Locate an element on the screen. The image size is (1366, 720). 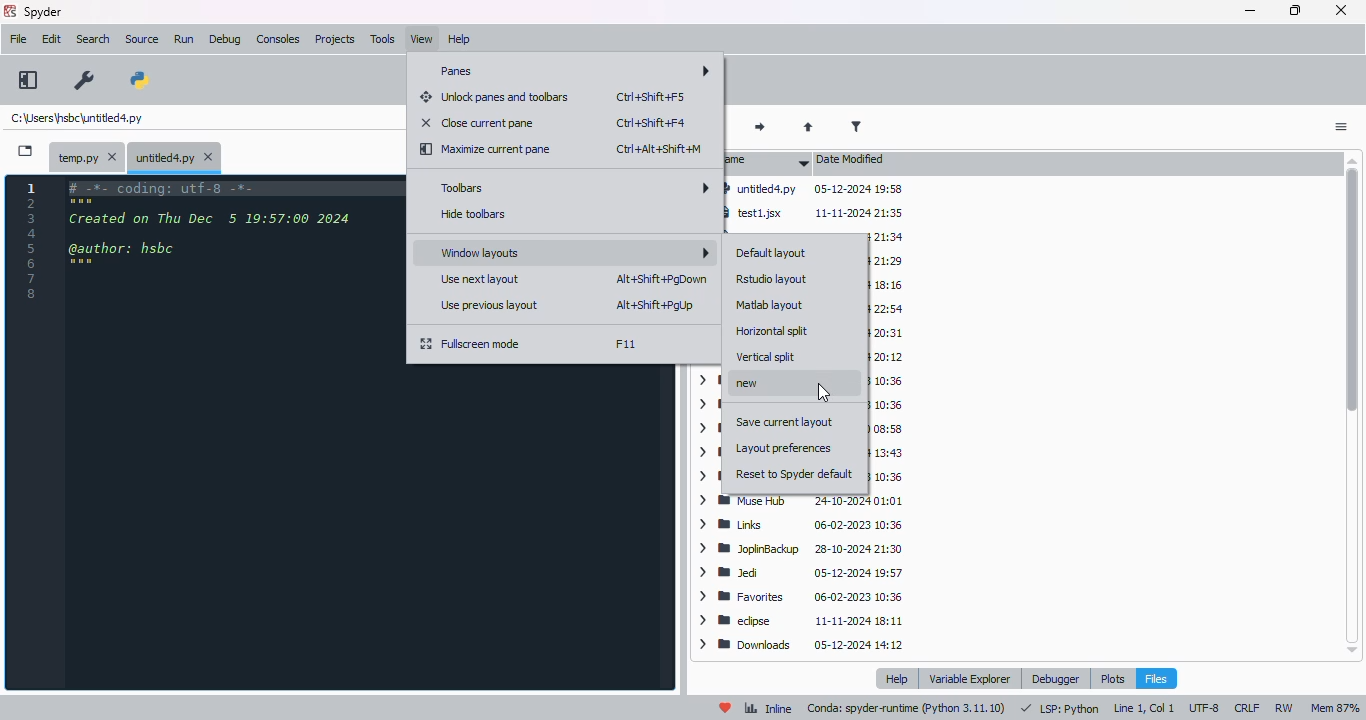
layout preferences is located at coordinates (785, 448).